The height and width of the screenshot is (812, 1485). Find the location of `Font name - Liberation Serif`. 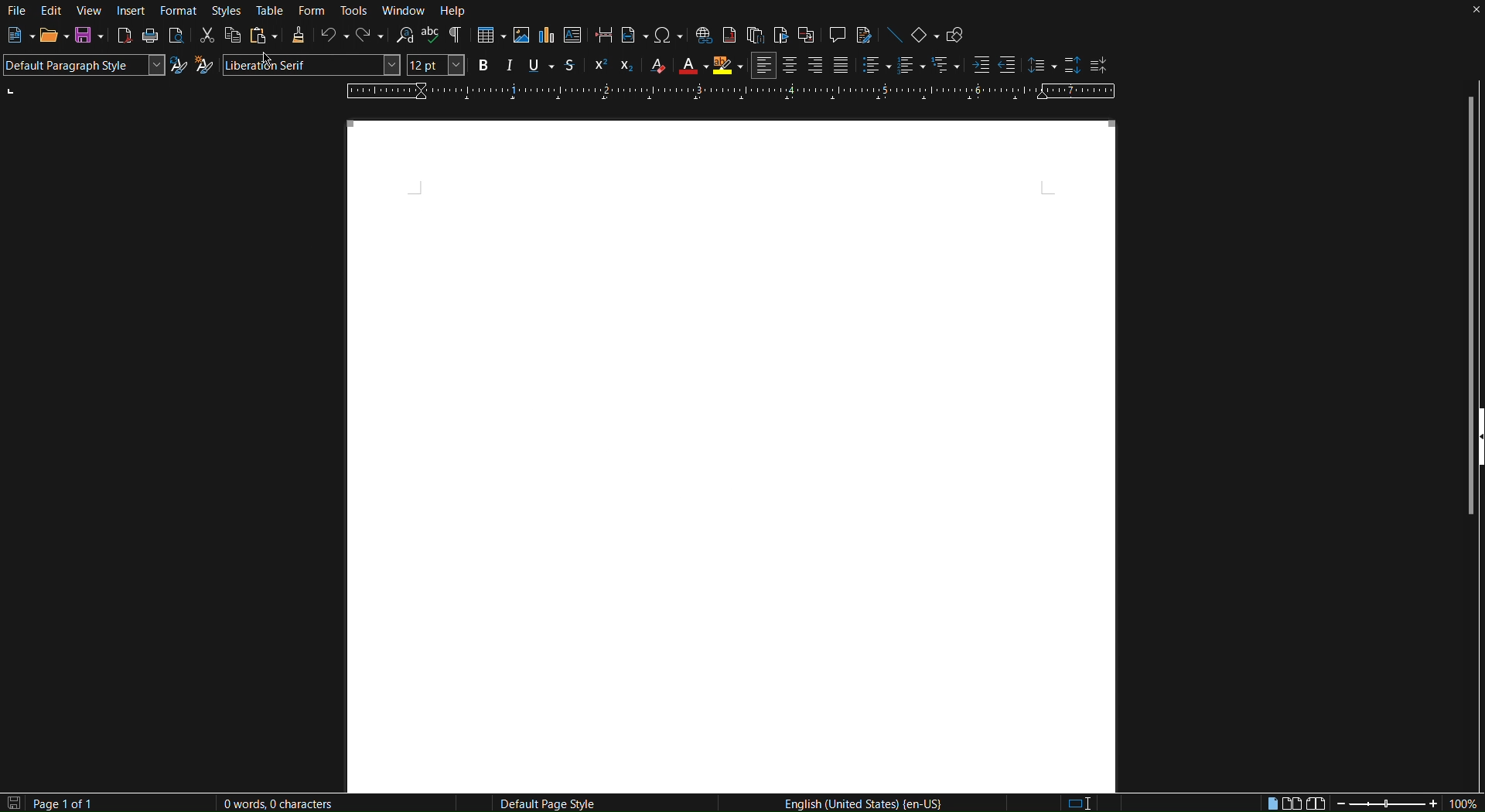

Font name - Liberation Serif is located at coordinates (313, 66).